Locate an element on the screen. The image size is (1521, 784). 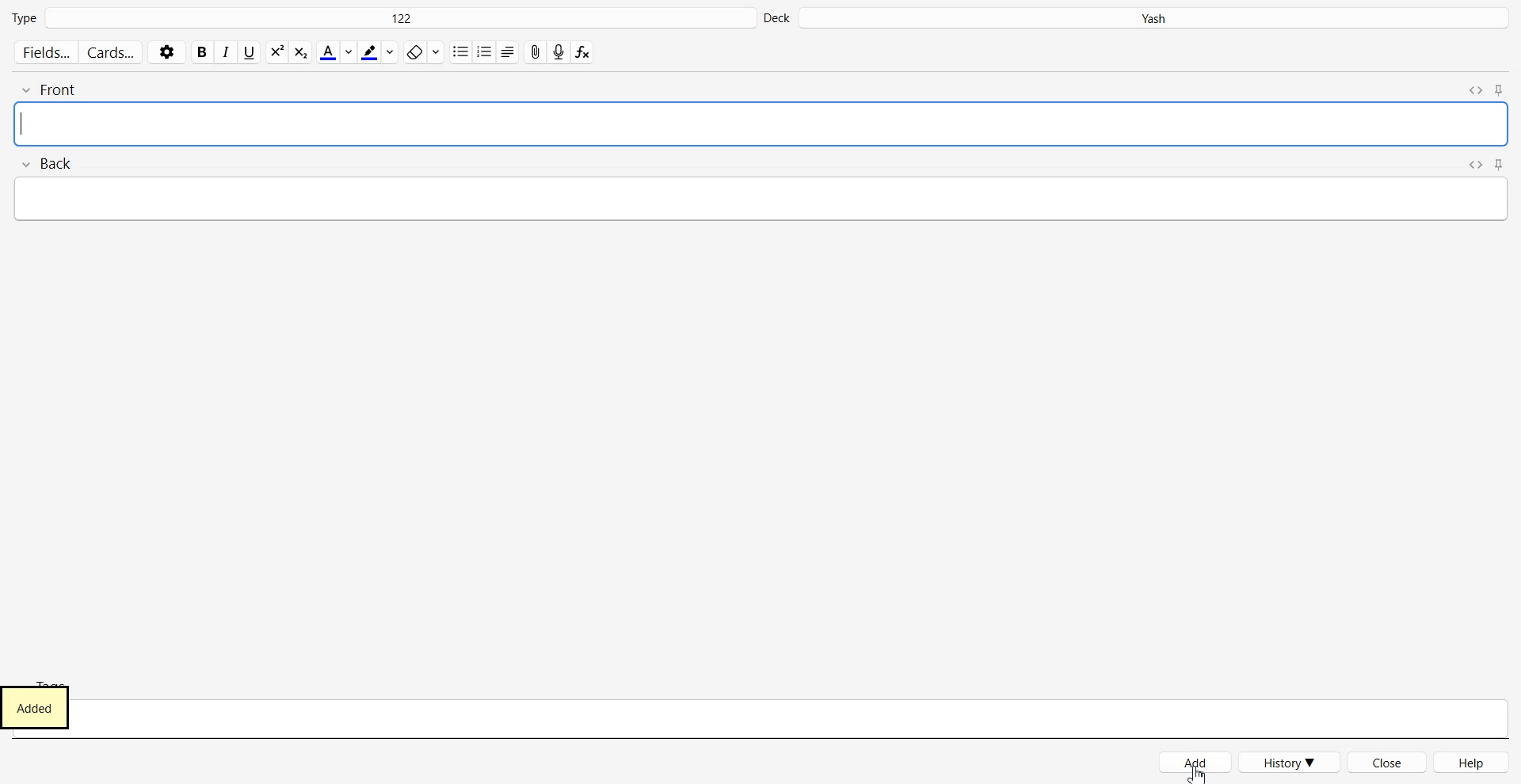
Underline is located at coordinates (250, 52).